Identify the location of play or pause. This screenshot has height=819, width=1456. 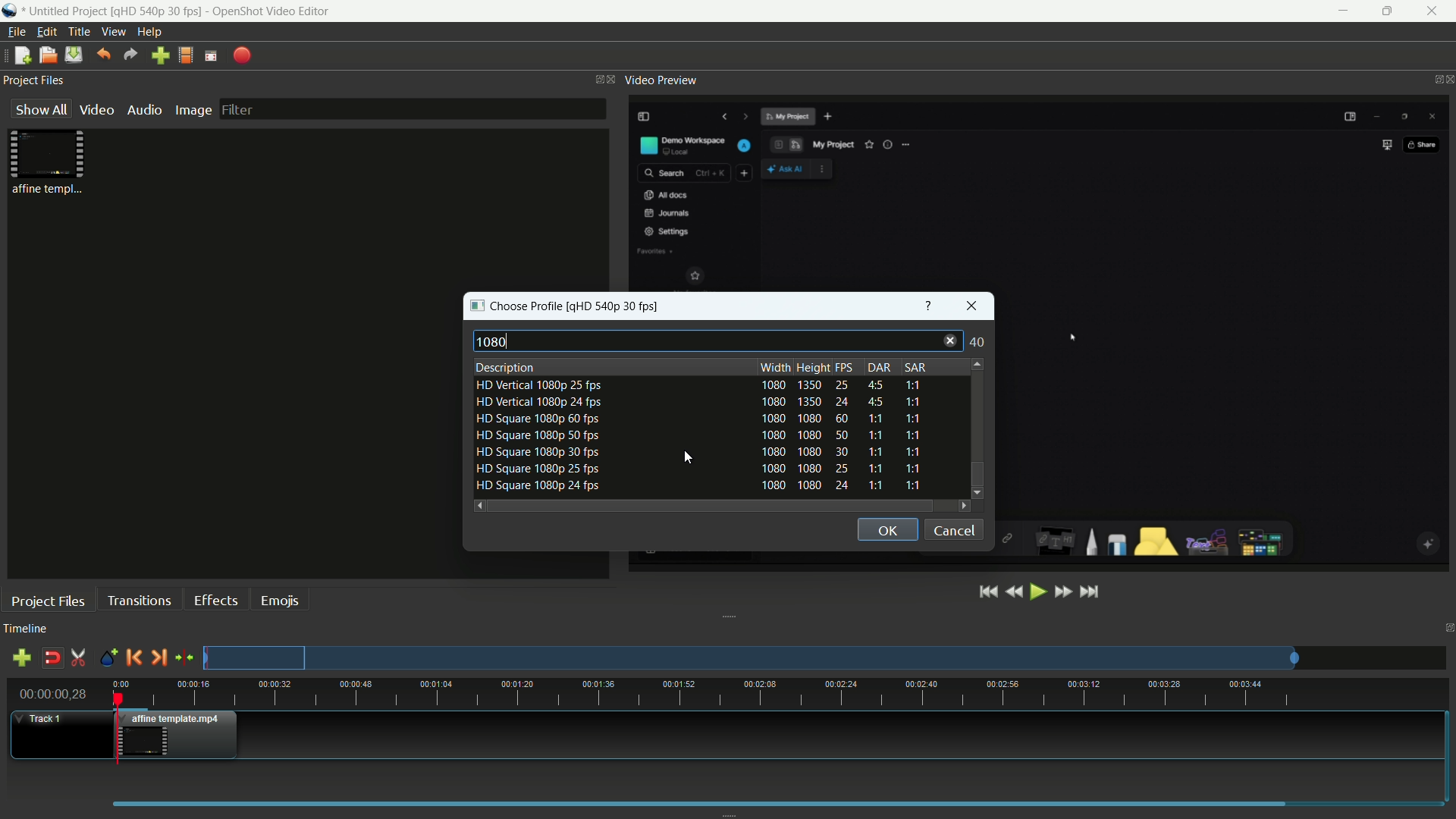
(1038, 593).